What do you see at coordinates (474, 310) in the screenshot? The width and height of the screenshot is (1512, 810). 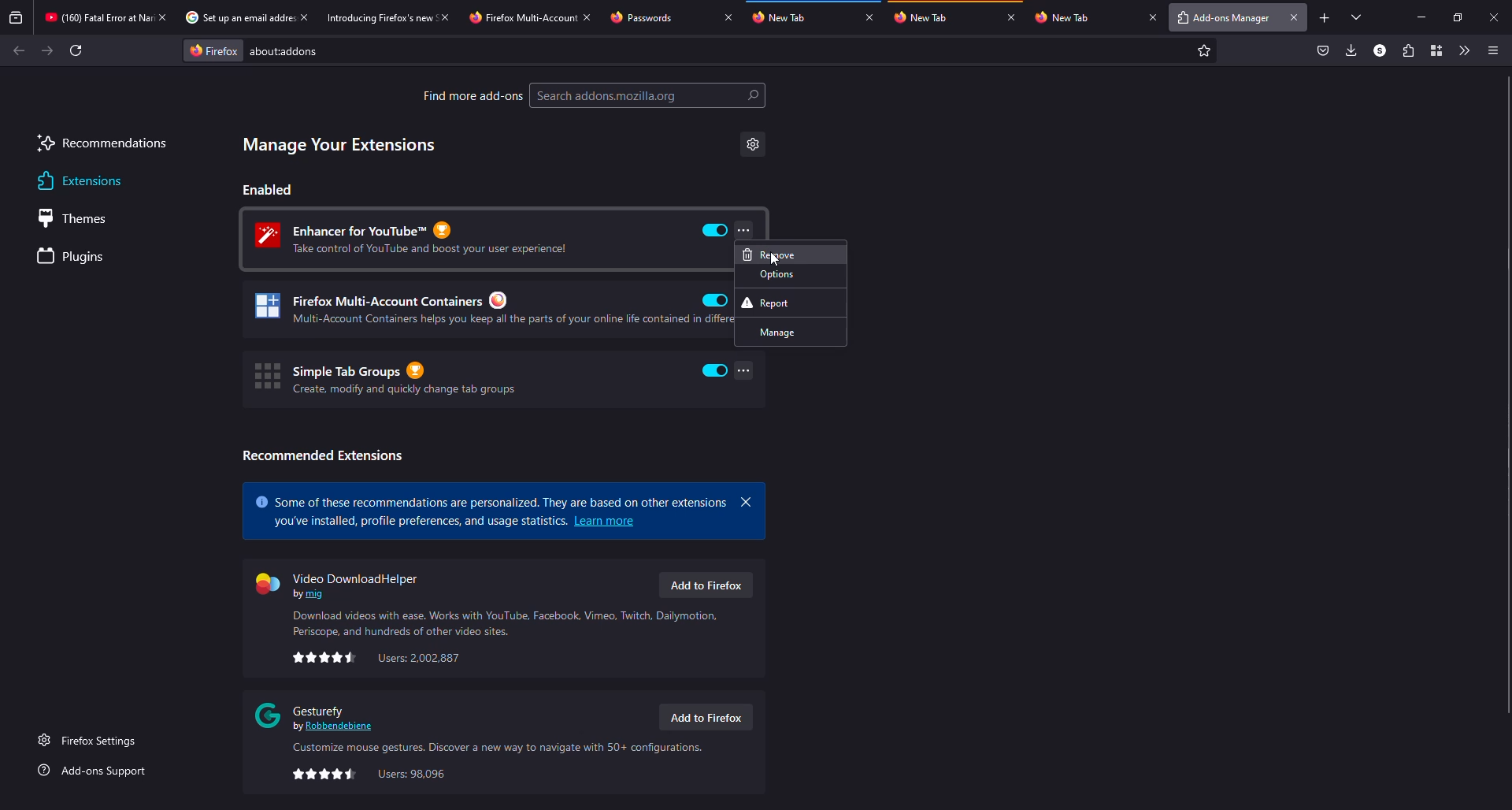 I see `multi-account` at bounding box center [474, 310].